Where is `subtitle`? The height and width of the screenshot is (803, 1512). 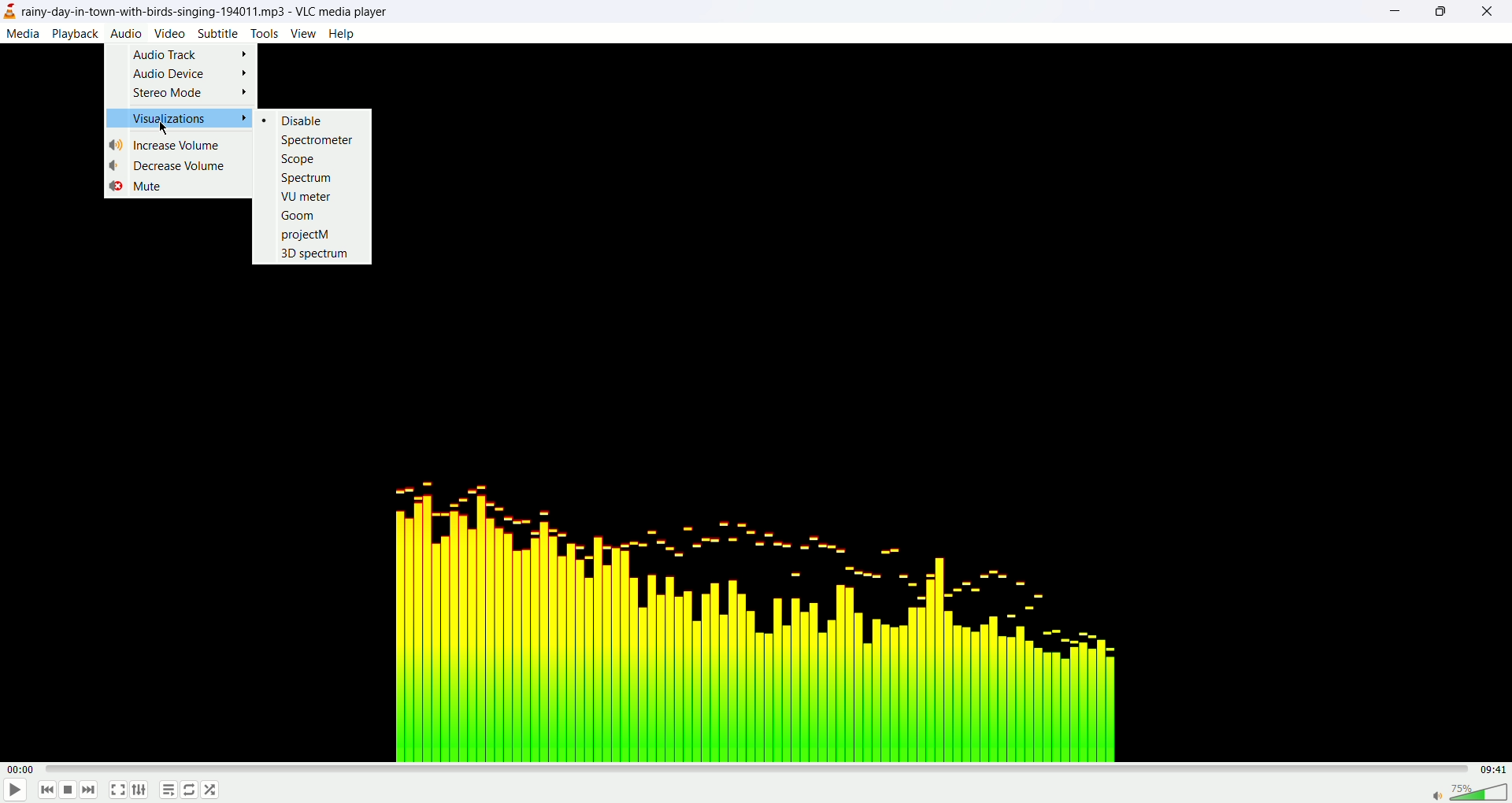 subtitle is located at coordinates (217, 31).